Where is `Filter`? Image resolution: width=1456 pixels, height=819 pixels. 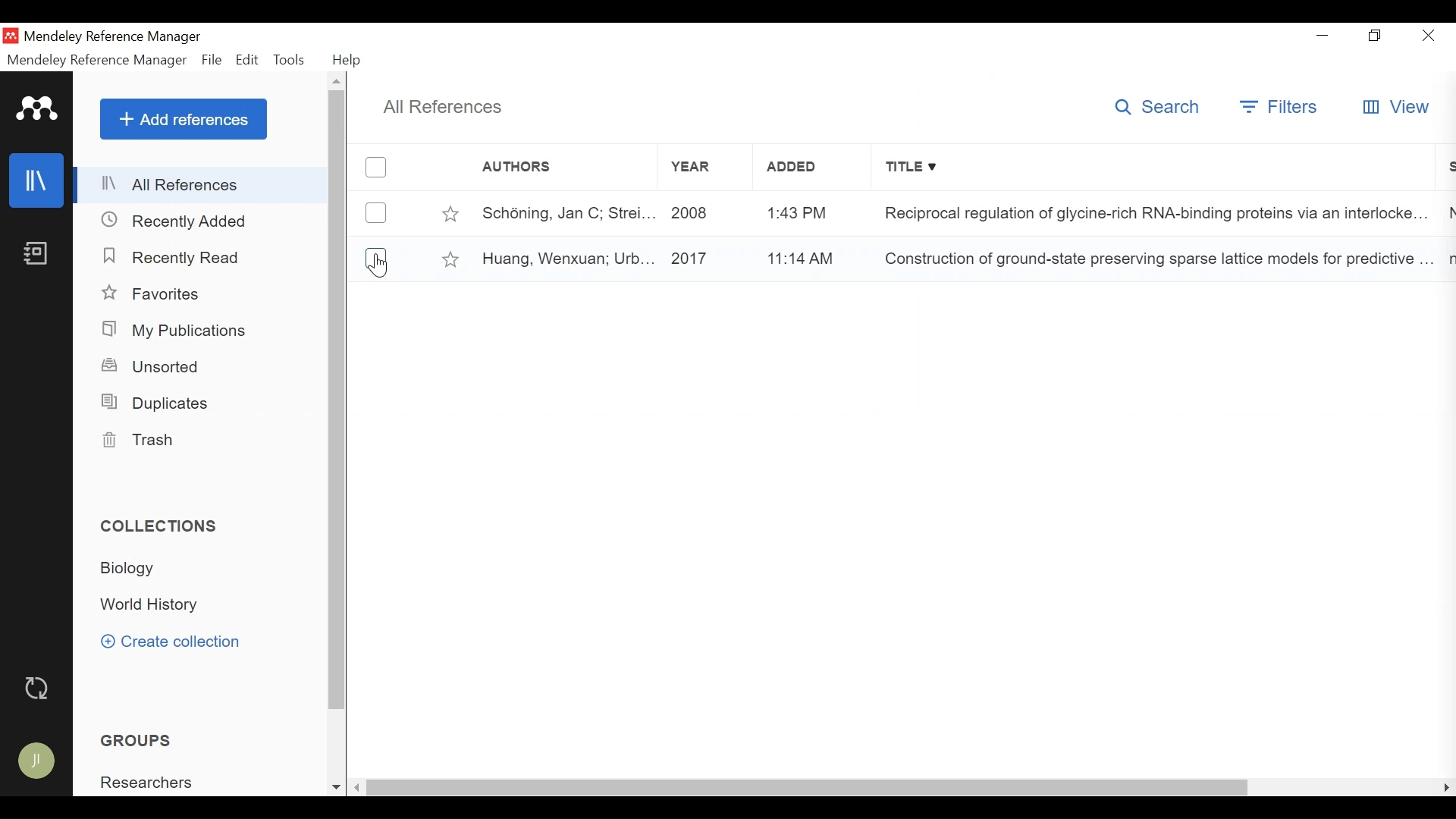 Filter is located at coordinates (1282, 107).